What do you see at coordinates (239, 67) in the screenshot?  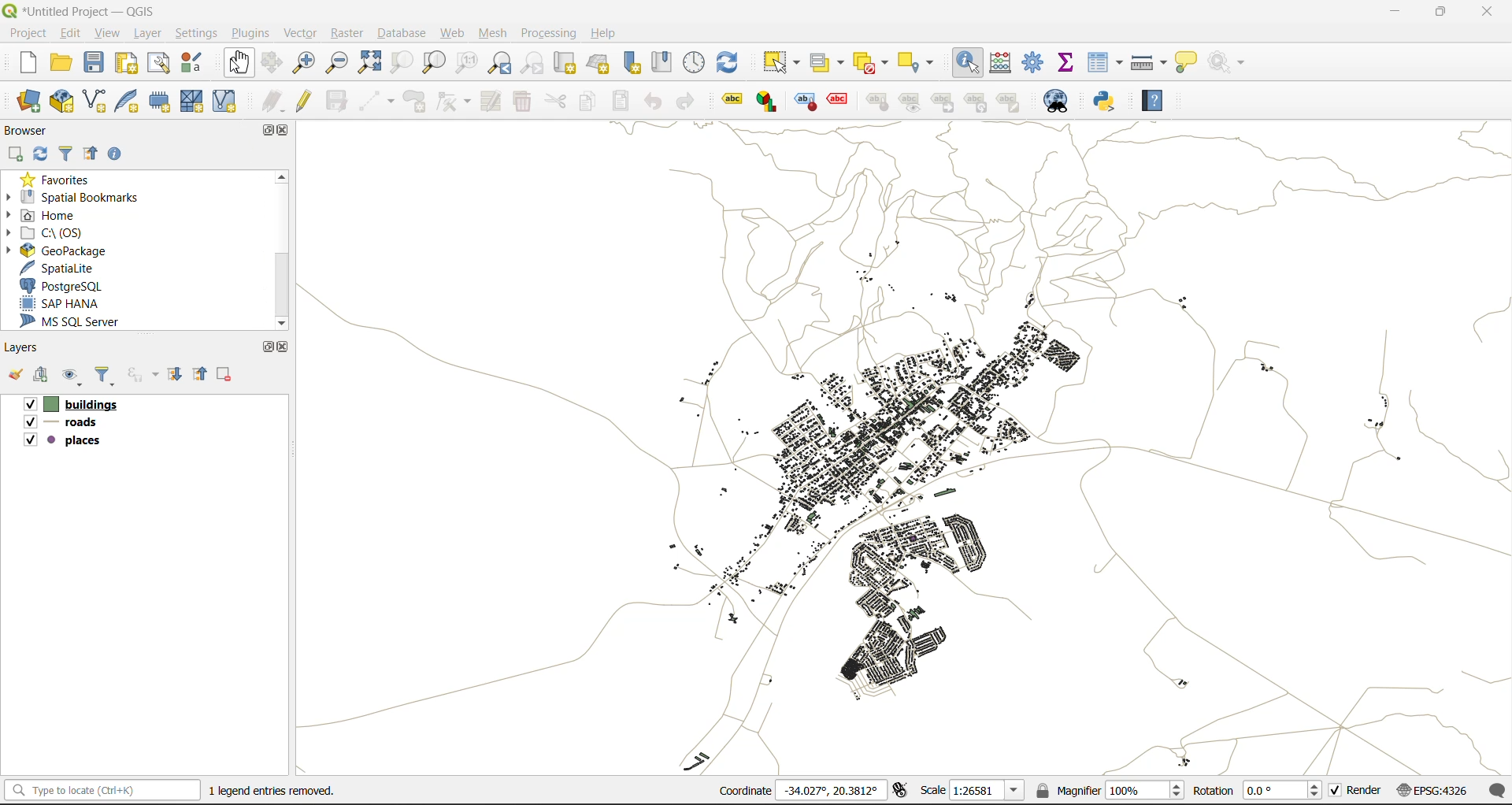 I see `cursor` at bounding box center [239, 67].